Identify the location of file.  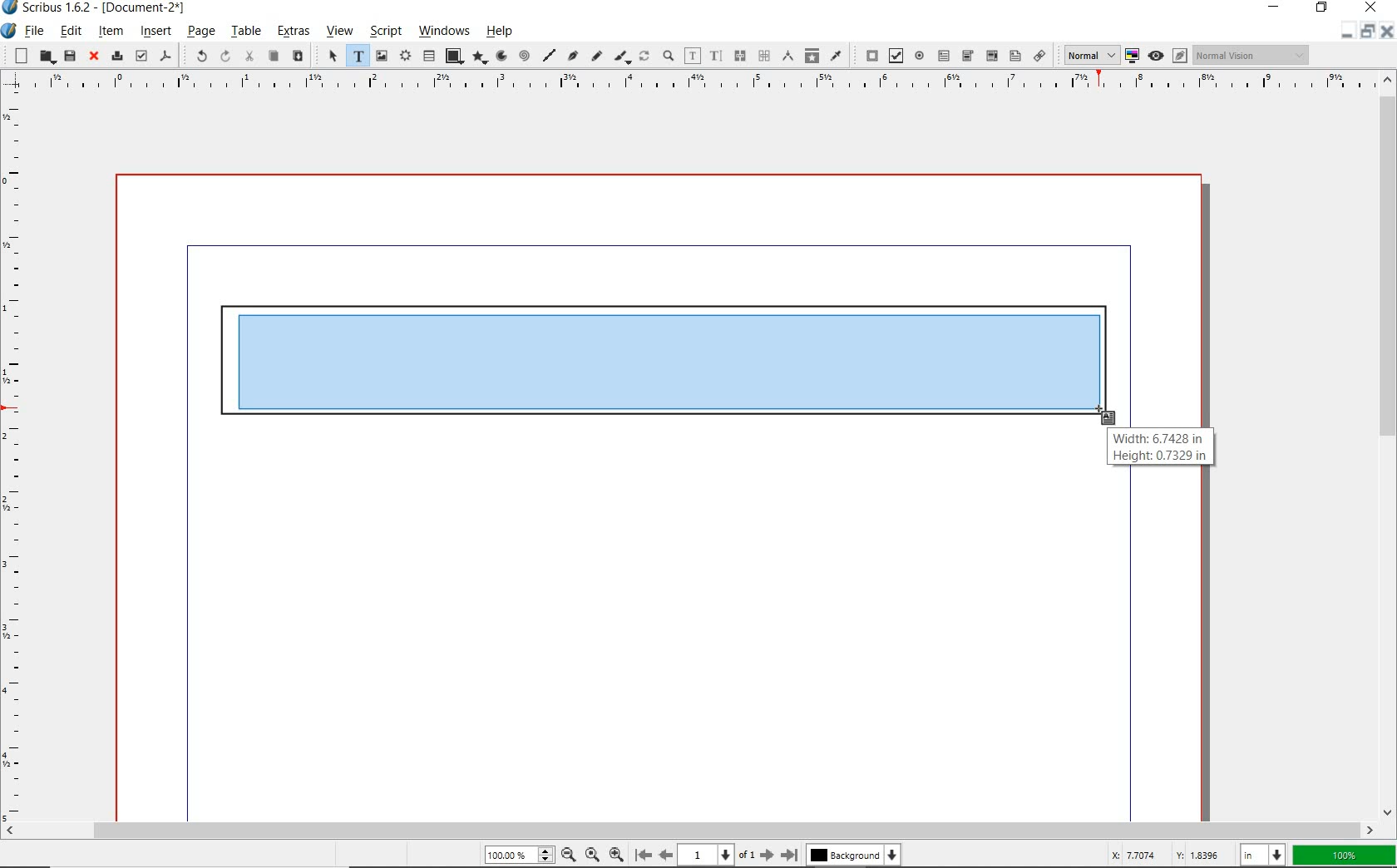
(35, 31).